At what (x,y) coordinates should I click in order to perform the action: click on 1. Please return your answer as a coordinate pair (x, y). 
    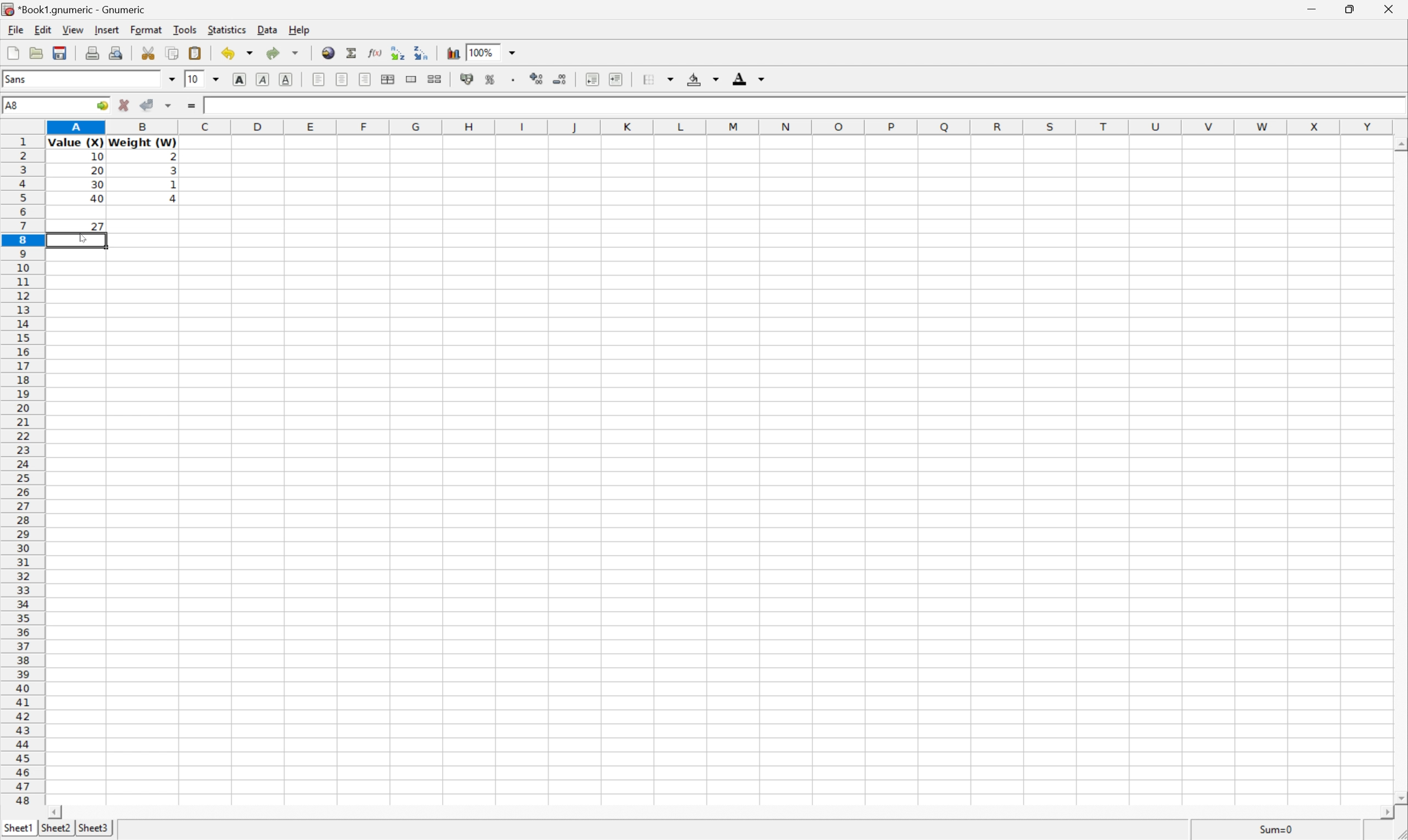
    Looking at the image, I should click on (172, 185).